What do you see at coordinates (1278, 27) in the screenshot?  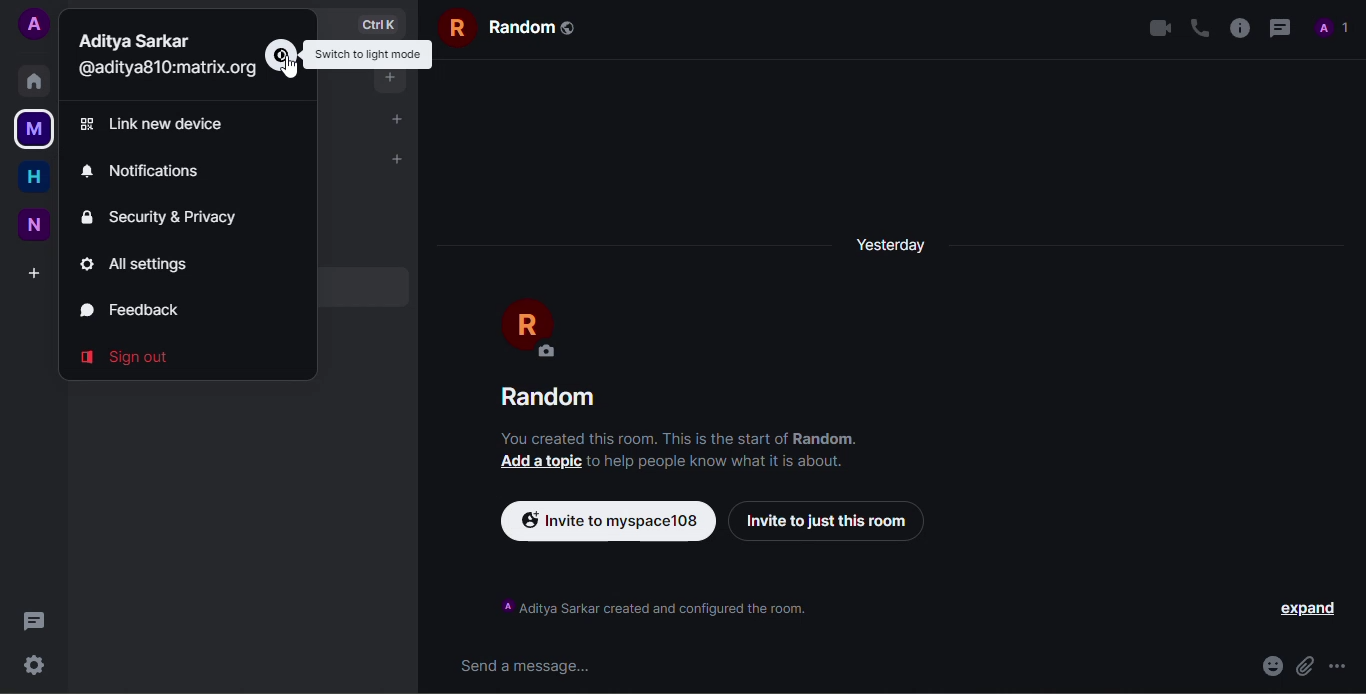 I see `threads` at bounding box center [1278, 27].